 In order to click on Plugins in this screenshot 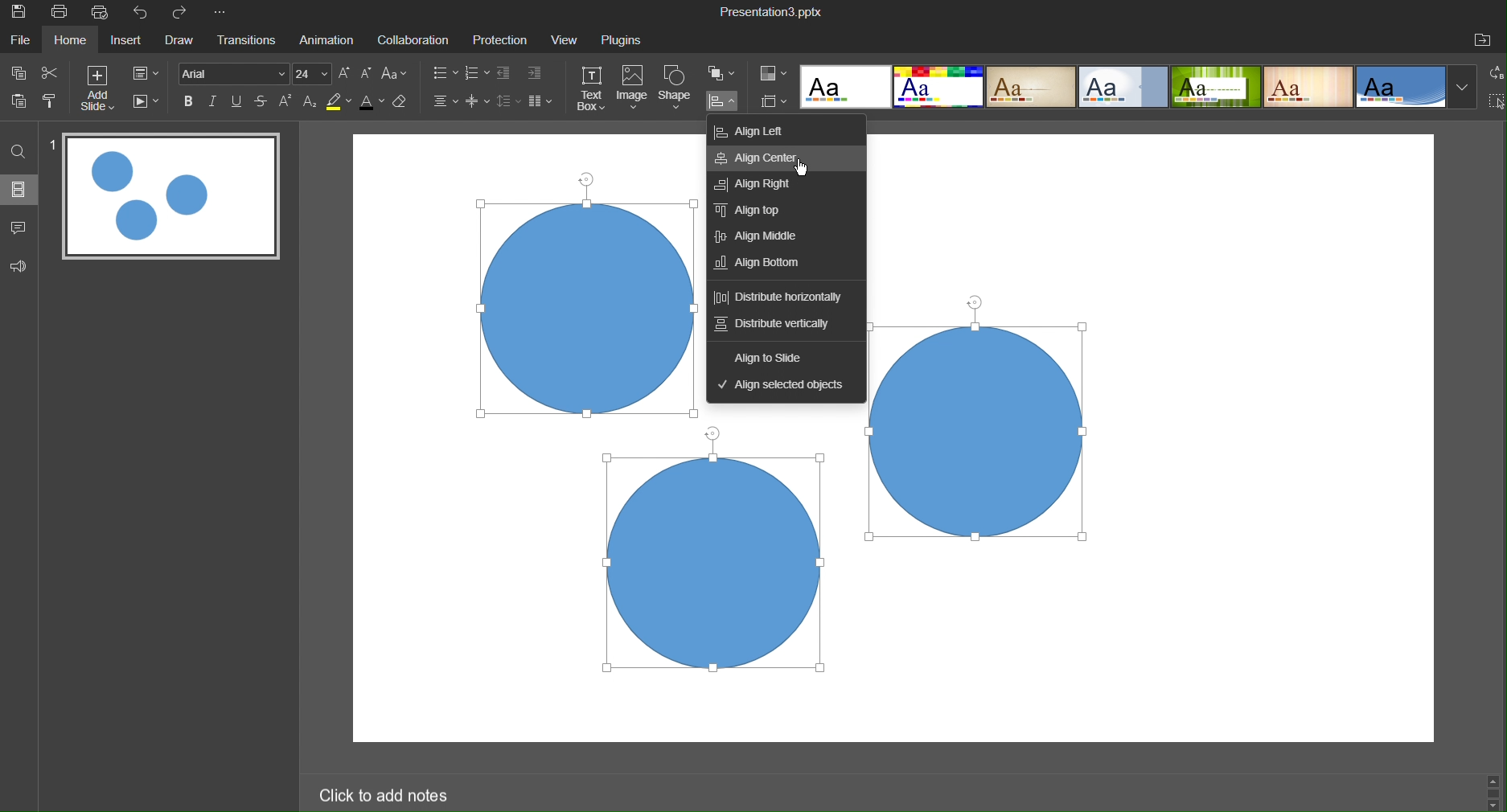, I will do `click(628, 39)`.